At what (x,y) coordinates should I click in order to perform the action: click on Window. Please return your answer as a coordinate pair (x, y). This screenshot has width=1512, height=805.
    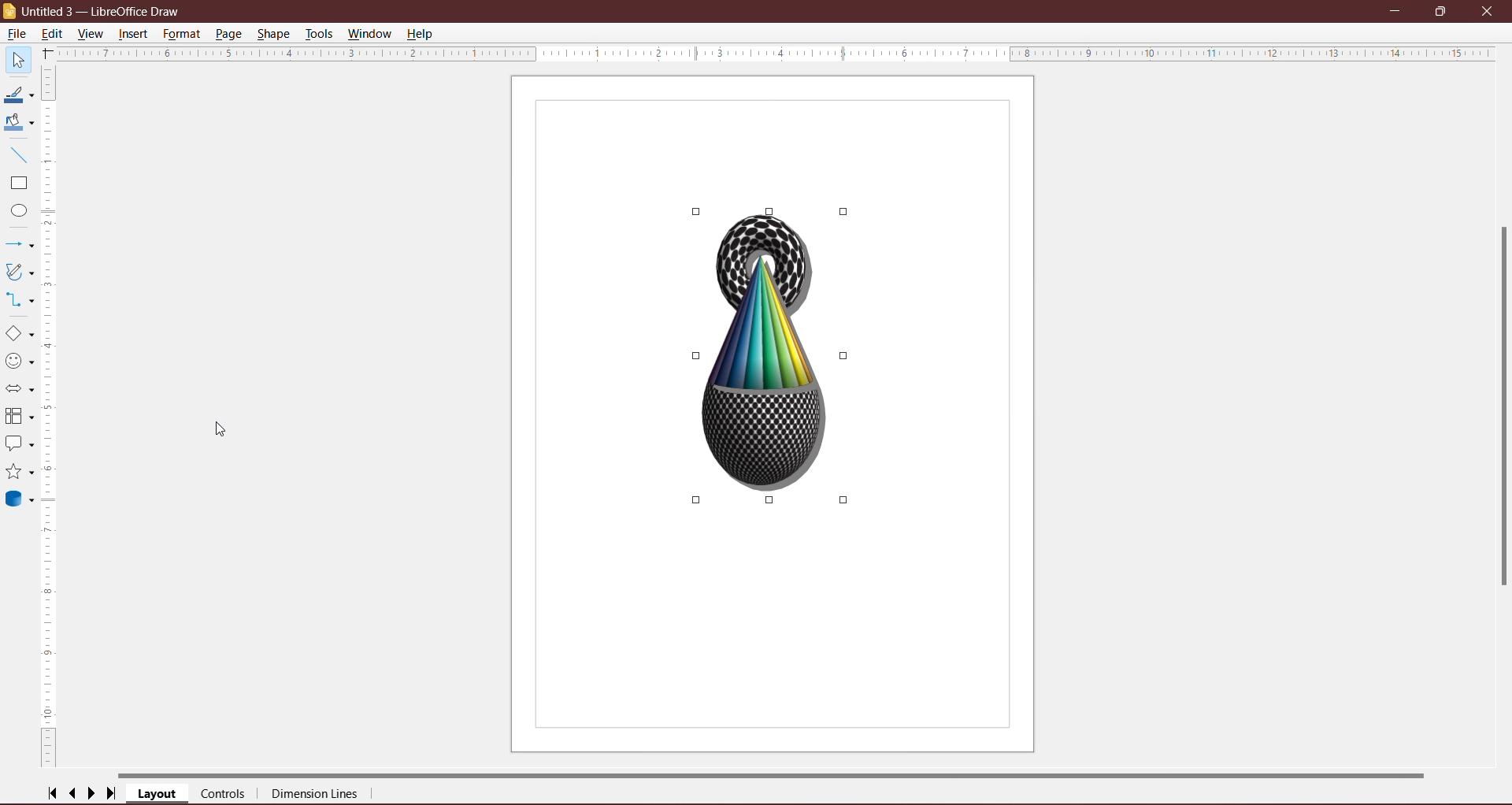
    Looking at the image, I should click on (371, 34).